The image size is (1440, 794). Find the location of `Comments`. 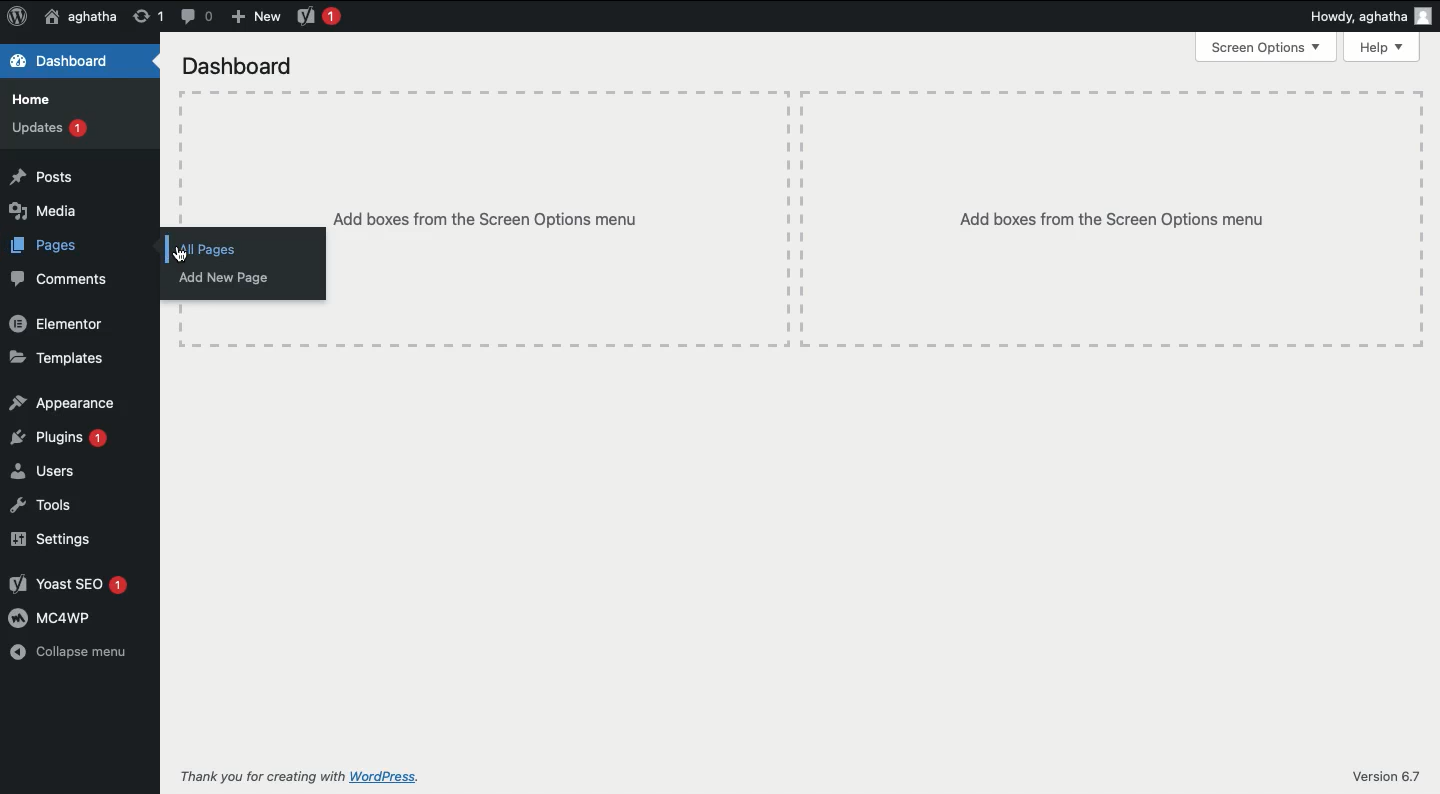

Comments is located at coordinates (60, 280).